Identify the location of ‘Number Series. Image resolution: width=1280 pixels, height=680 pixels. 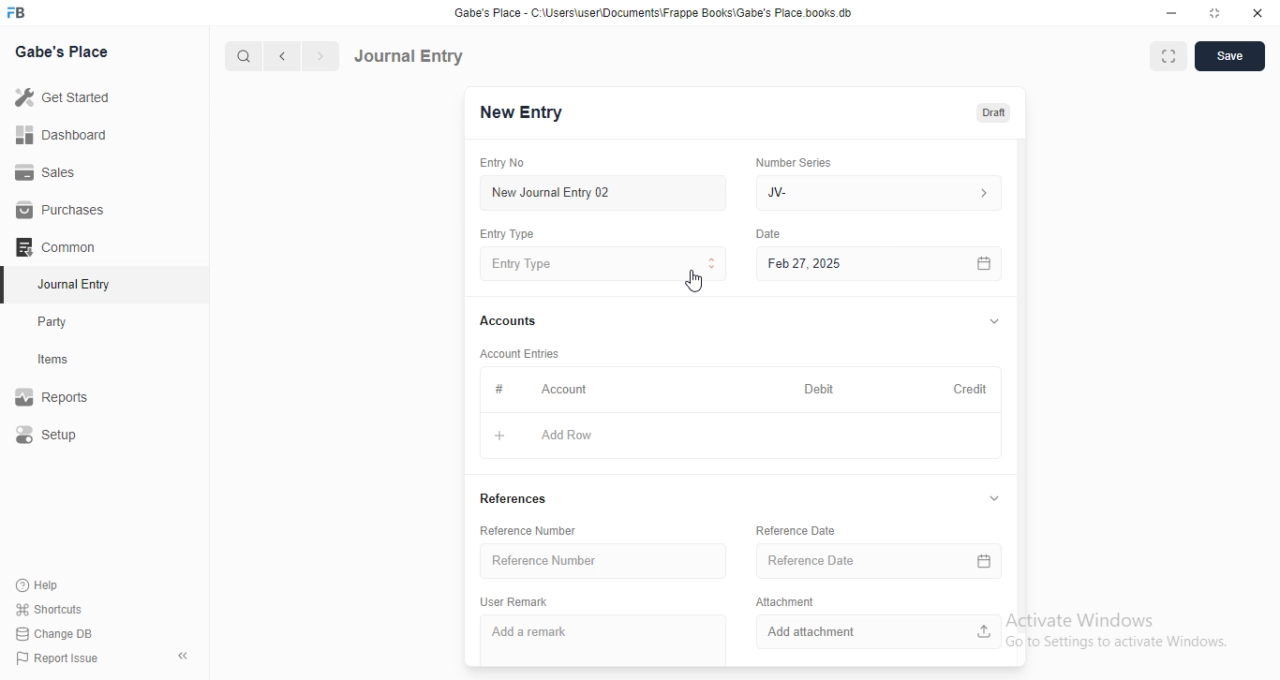
(794, 162).